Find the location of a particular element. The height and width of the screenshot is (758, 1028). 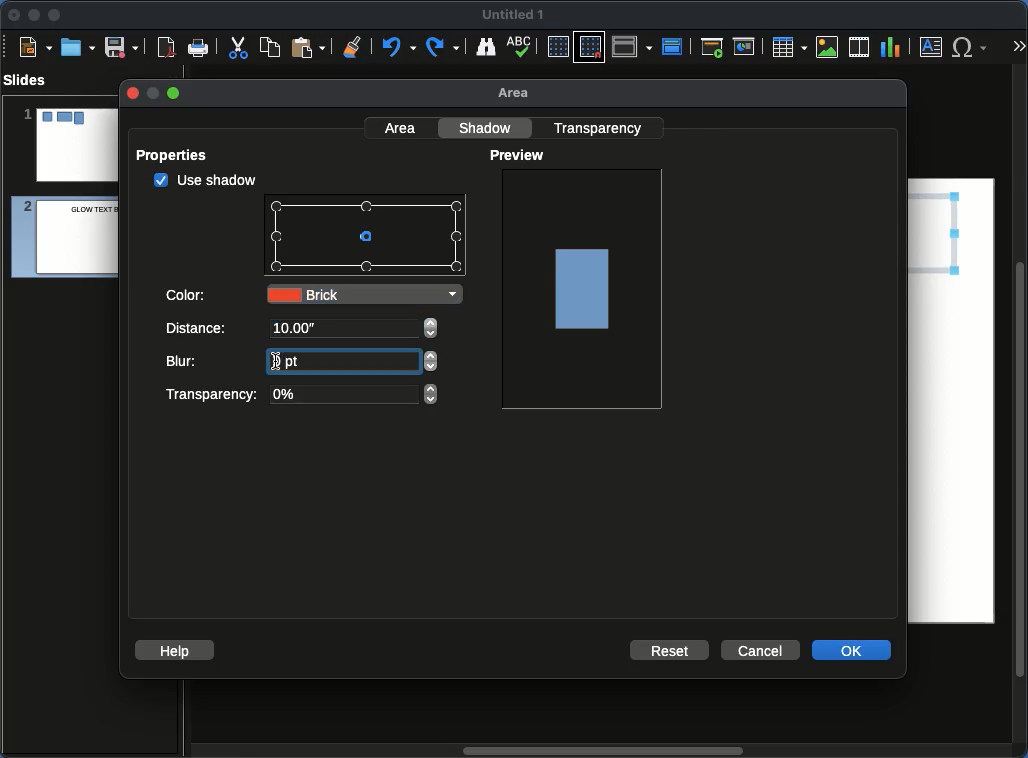

Paste is located at coordinates (308, 46).